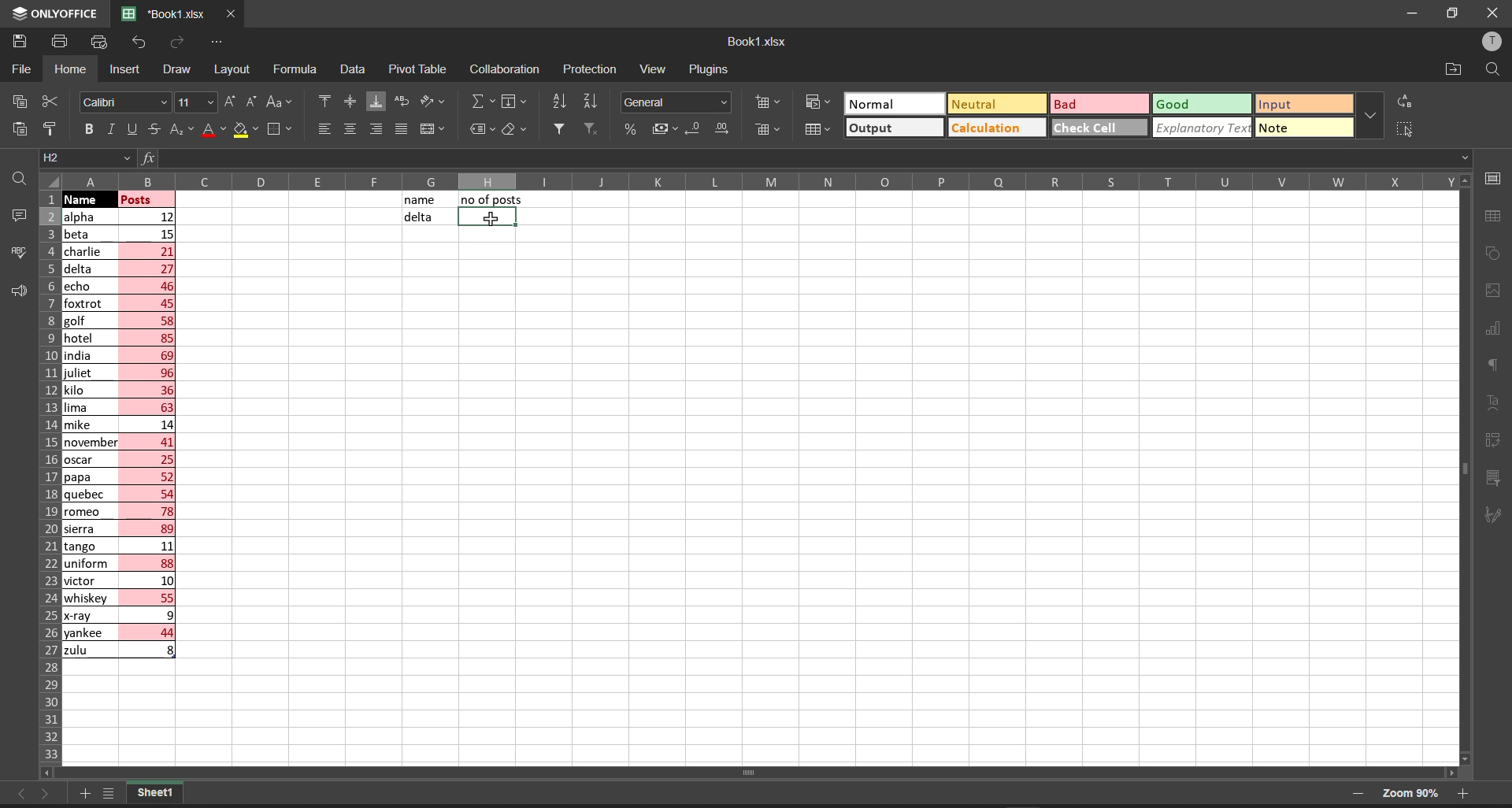  I want to click on close, so click(1490, 13).